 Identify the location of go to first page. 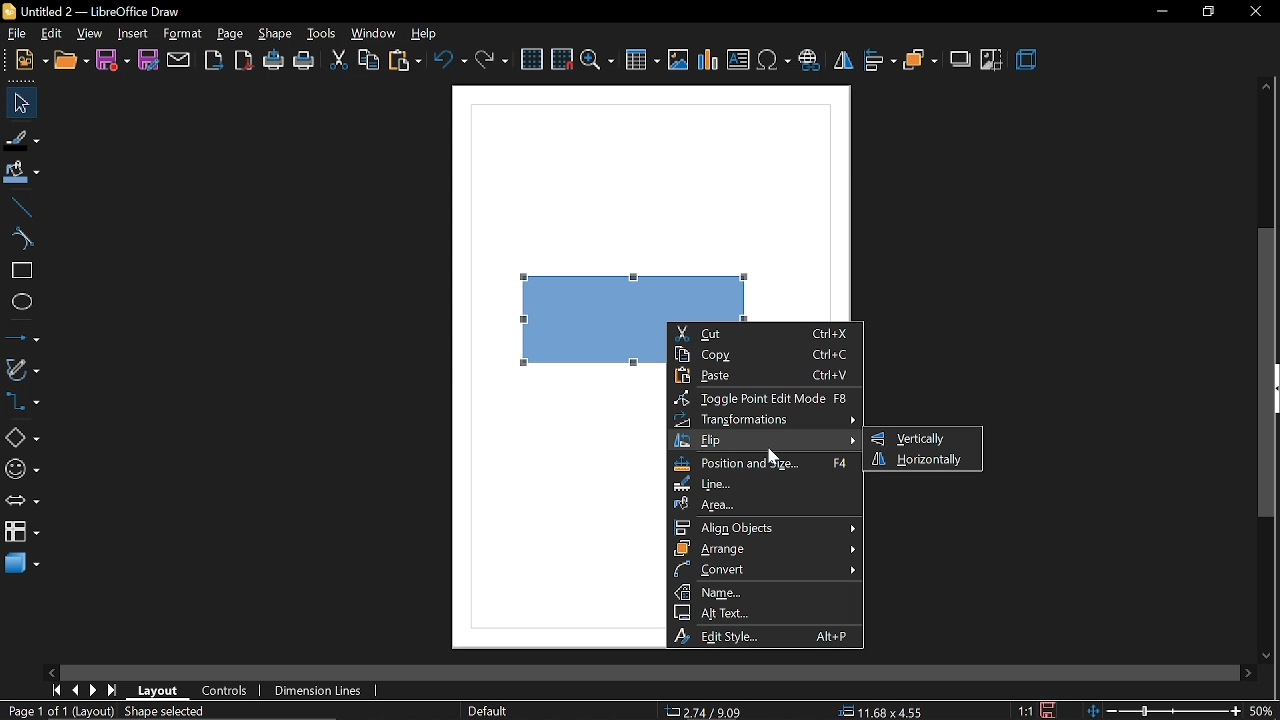
(55, 691).